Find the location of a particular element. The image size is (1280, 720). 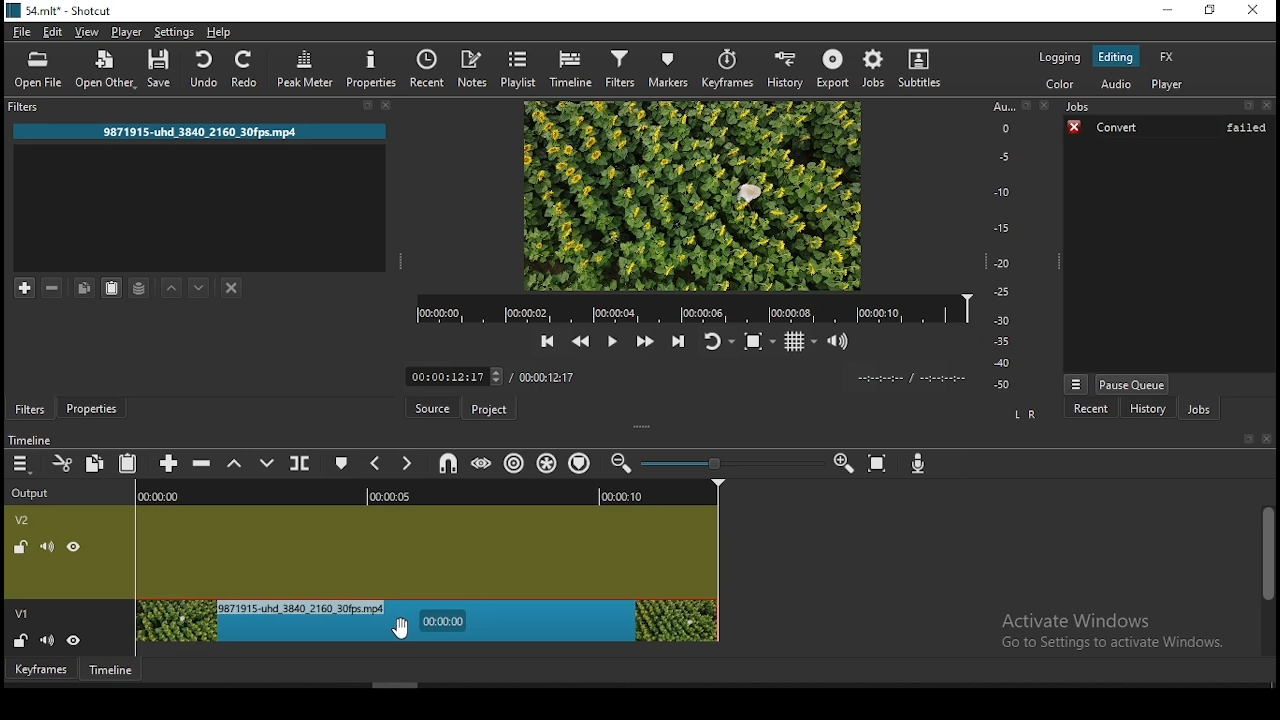

 is located at coordinates (430, 493).